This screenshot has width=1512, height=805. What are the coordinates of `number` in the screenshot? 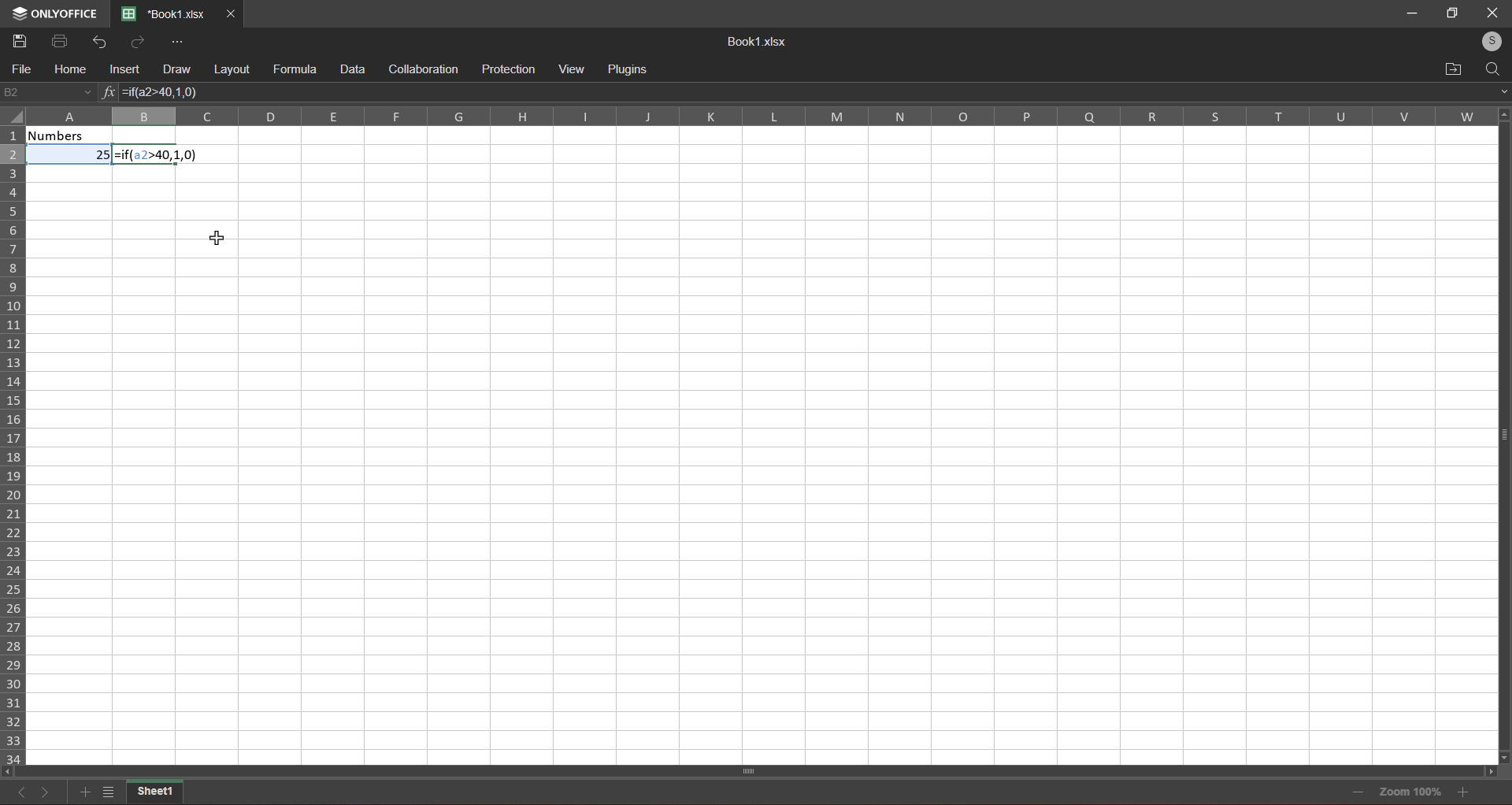 It's located at (72, 147).